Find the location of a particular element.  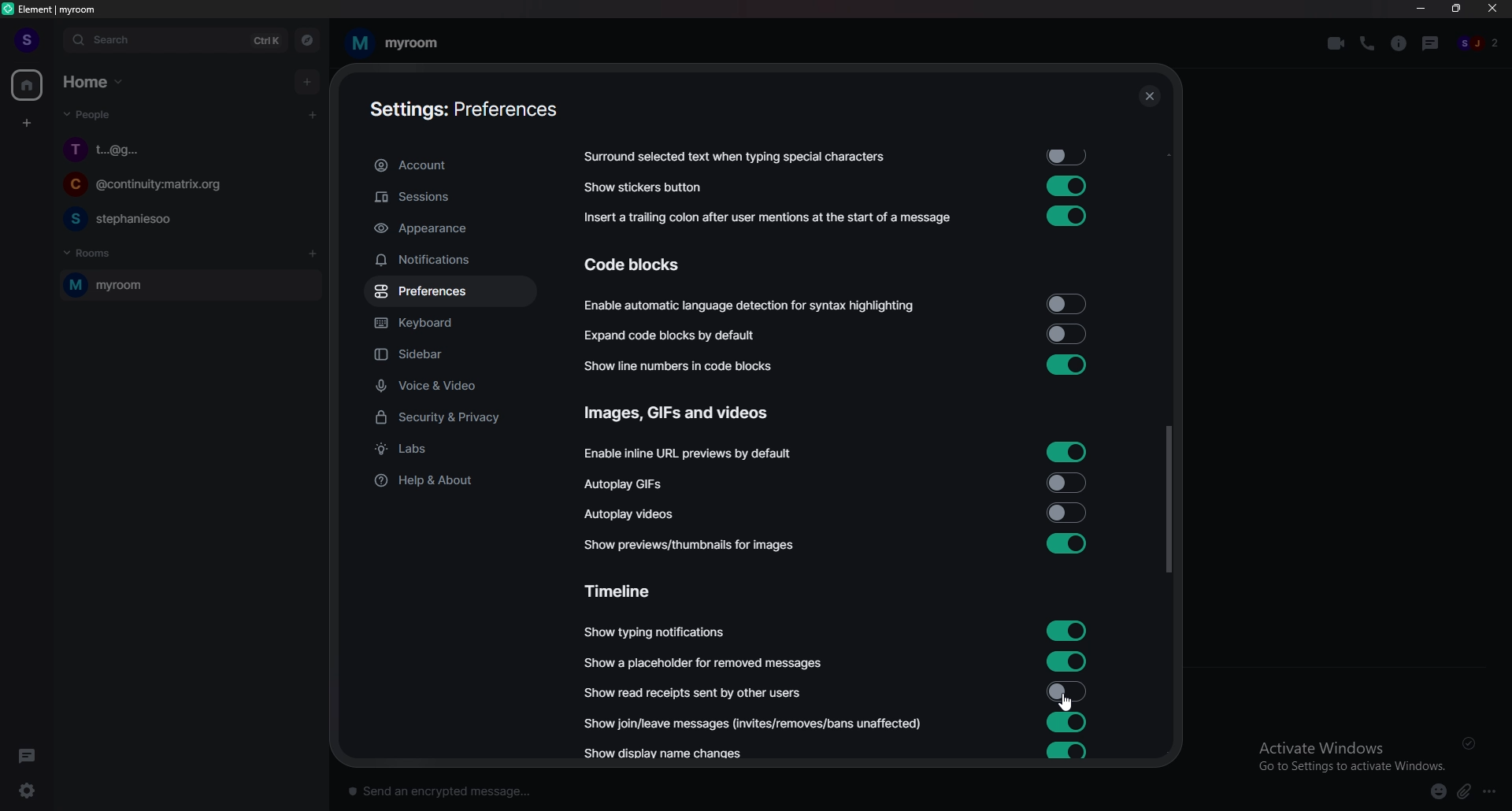

show a placeholder for removed messages is located at coordinates (704, 663).